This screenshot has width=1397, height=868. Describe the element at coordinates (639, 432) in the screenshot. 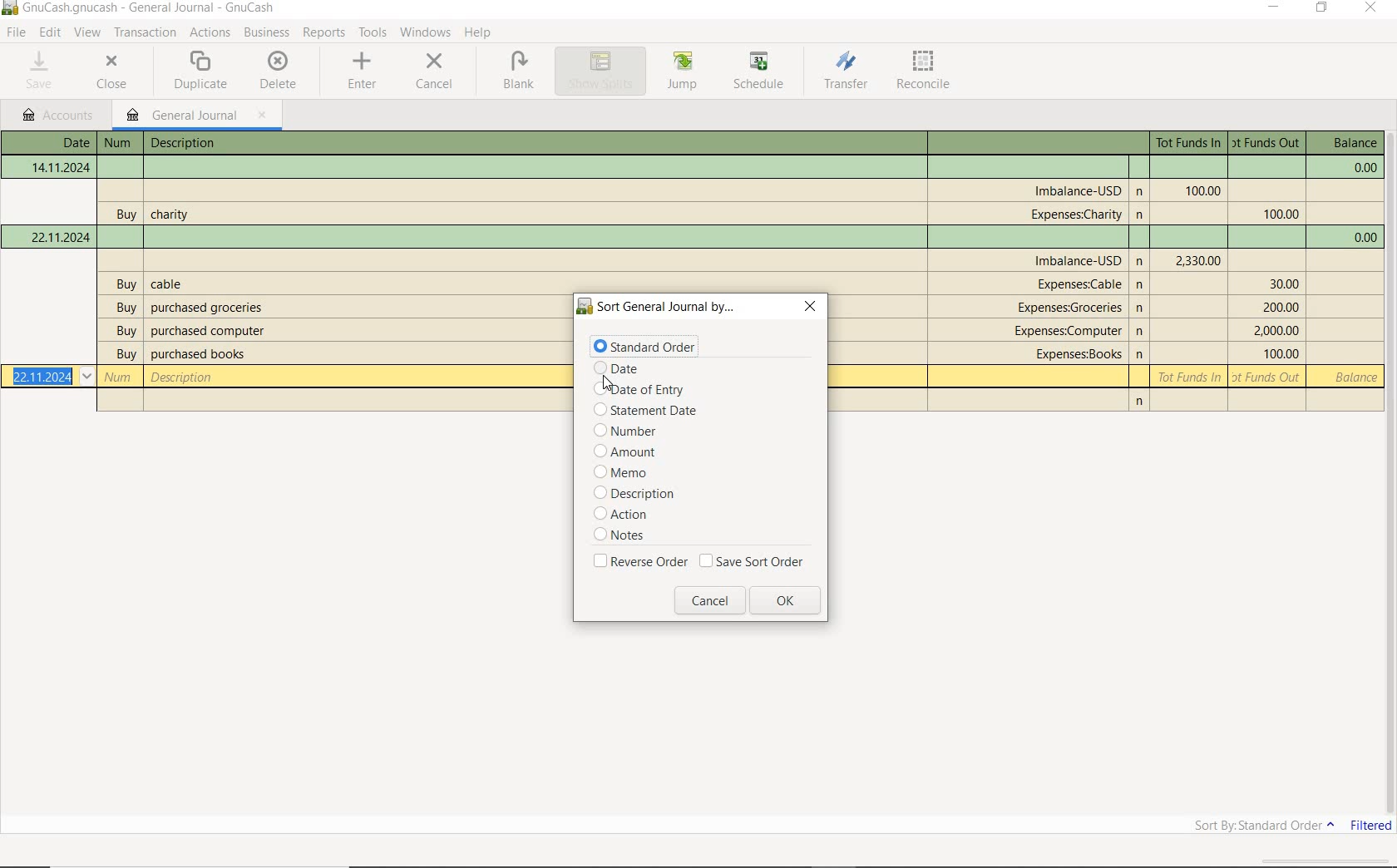

I see `number` at that location.